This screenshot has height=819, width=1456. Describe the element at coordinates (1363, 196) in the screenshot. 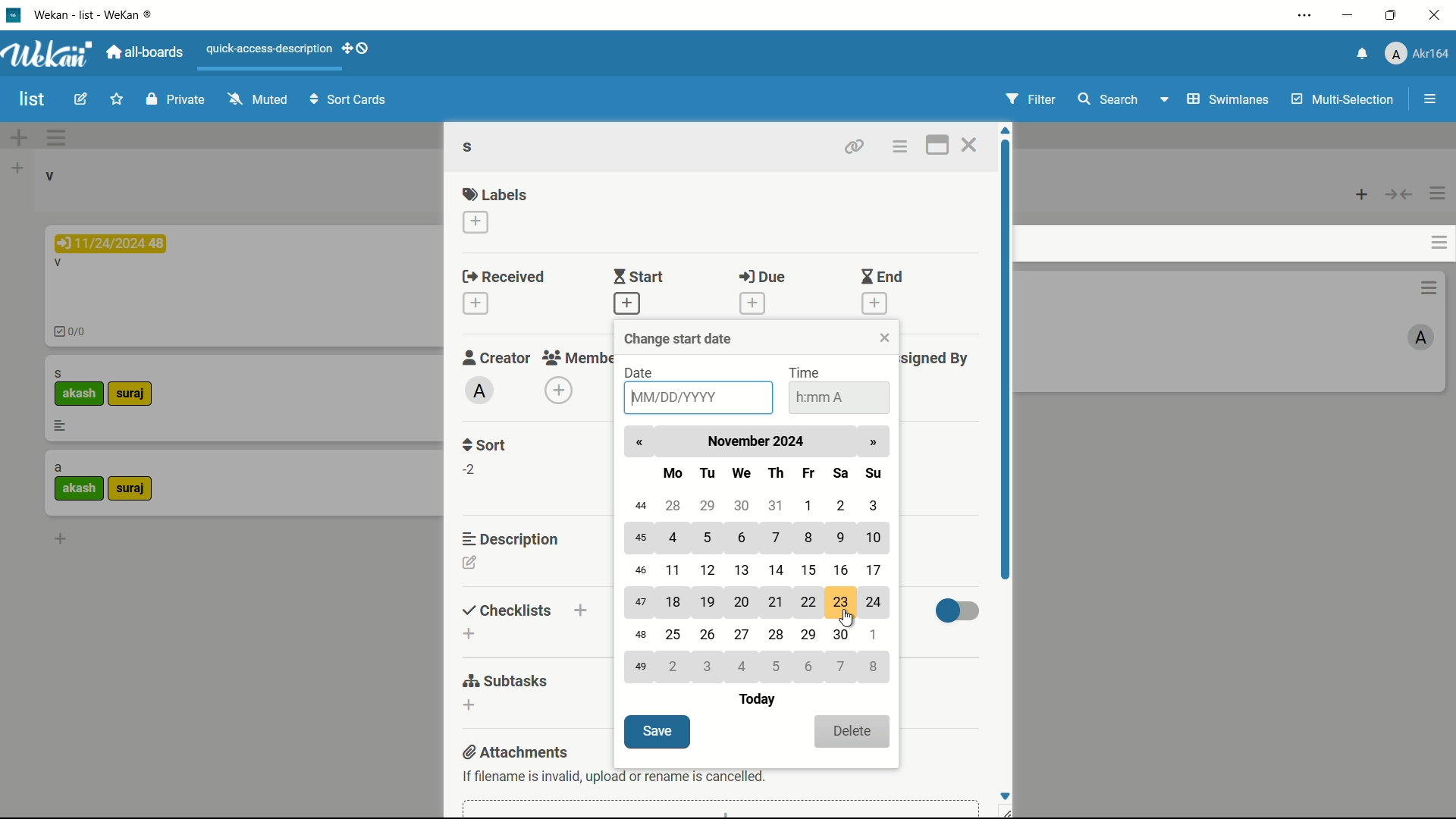

I see `add card top of list` at that location.